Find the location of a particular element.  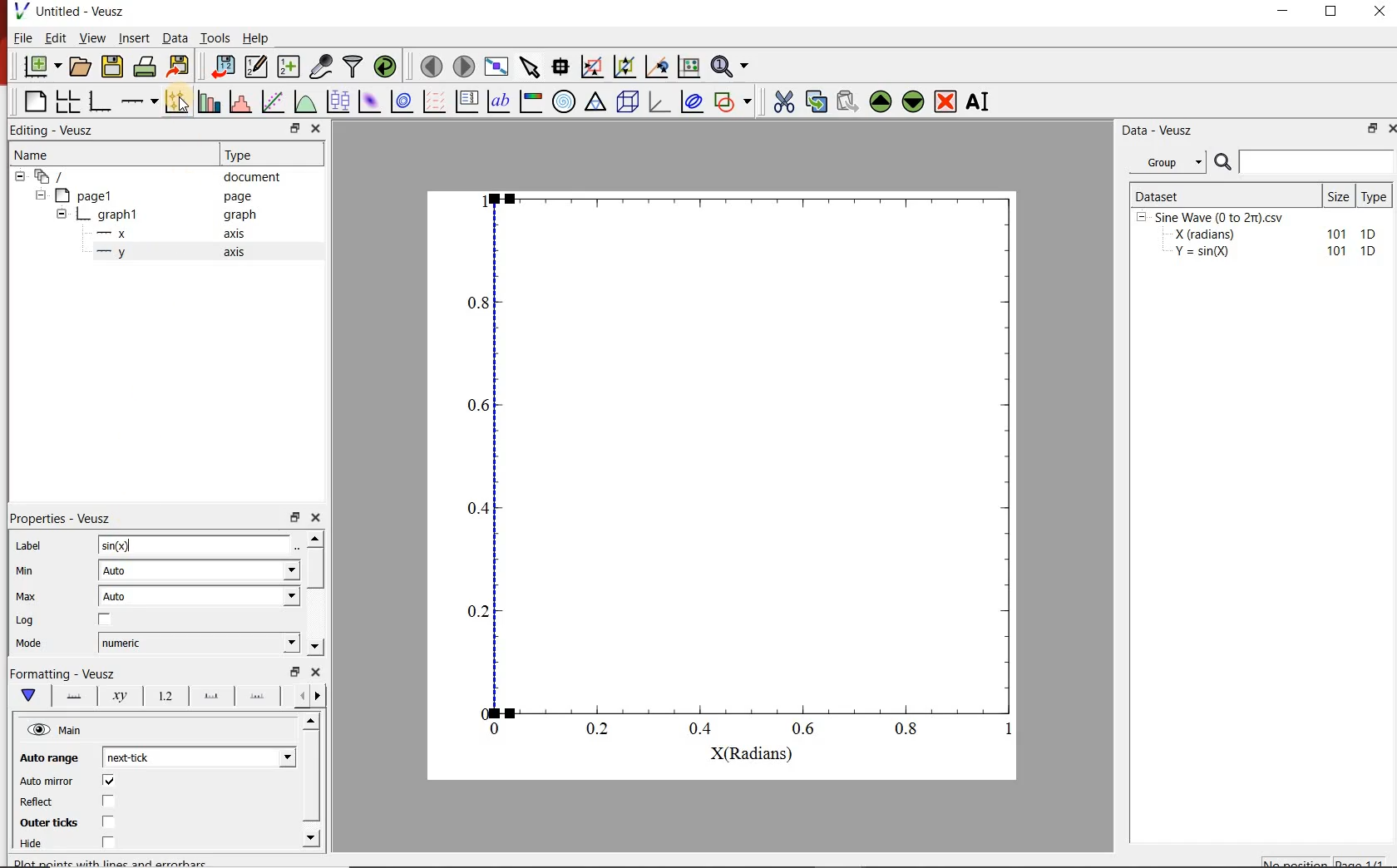

hit a function is located at coordinates (274, 101).